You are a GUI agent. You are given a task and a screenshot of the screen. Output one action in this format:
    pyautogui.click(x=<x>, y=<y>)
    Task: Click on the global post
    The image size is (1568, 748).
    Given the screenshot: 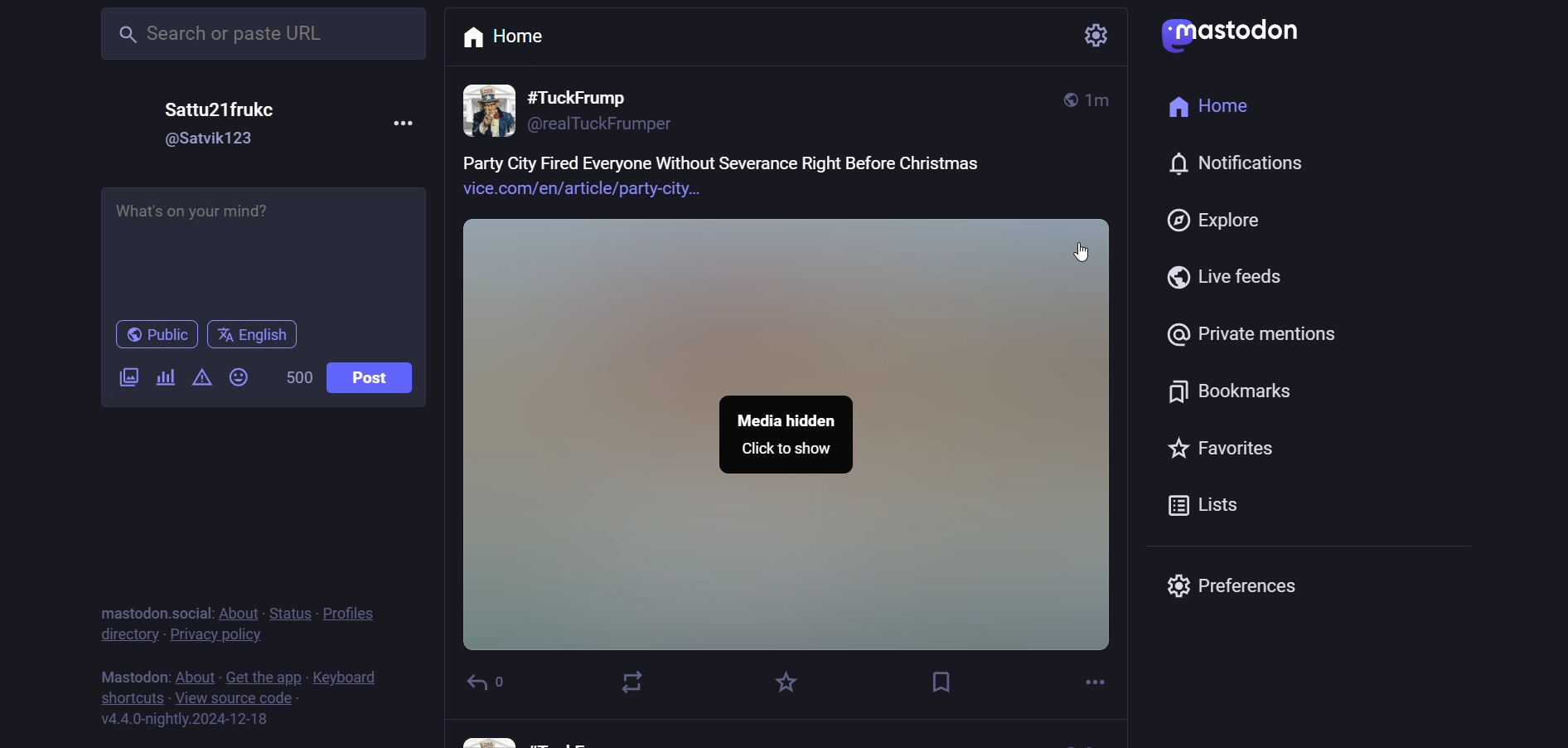 What is the action you would take?
    pyautogui.click(x=1058, y=100)
    